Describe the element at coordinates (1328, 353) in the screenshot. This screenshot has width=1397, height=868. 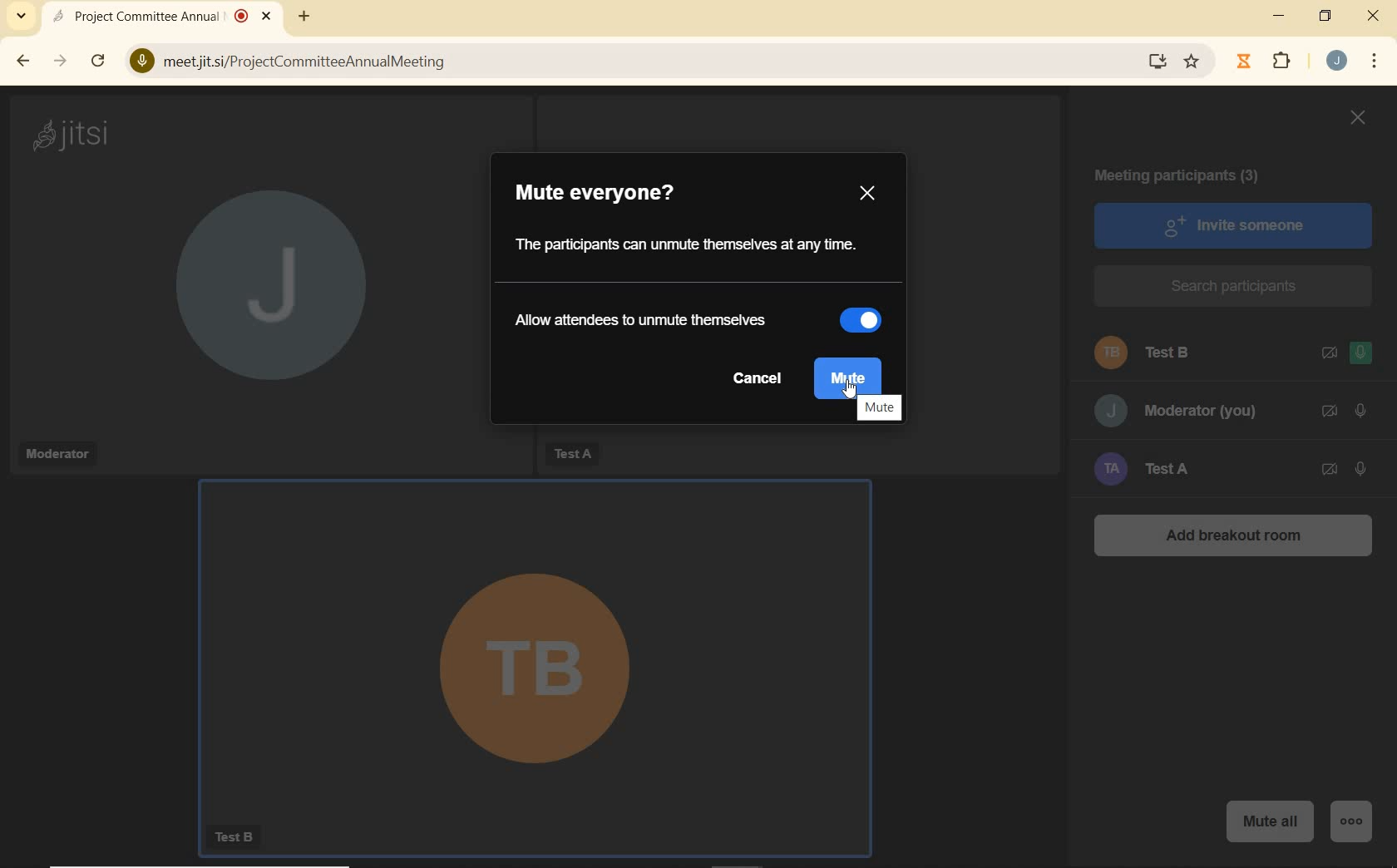
I see `CAMERA` at that location.